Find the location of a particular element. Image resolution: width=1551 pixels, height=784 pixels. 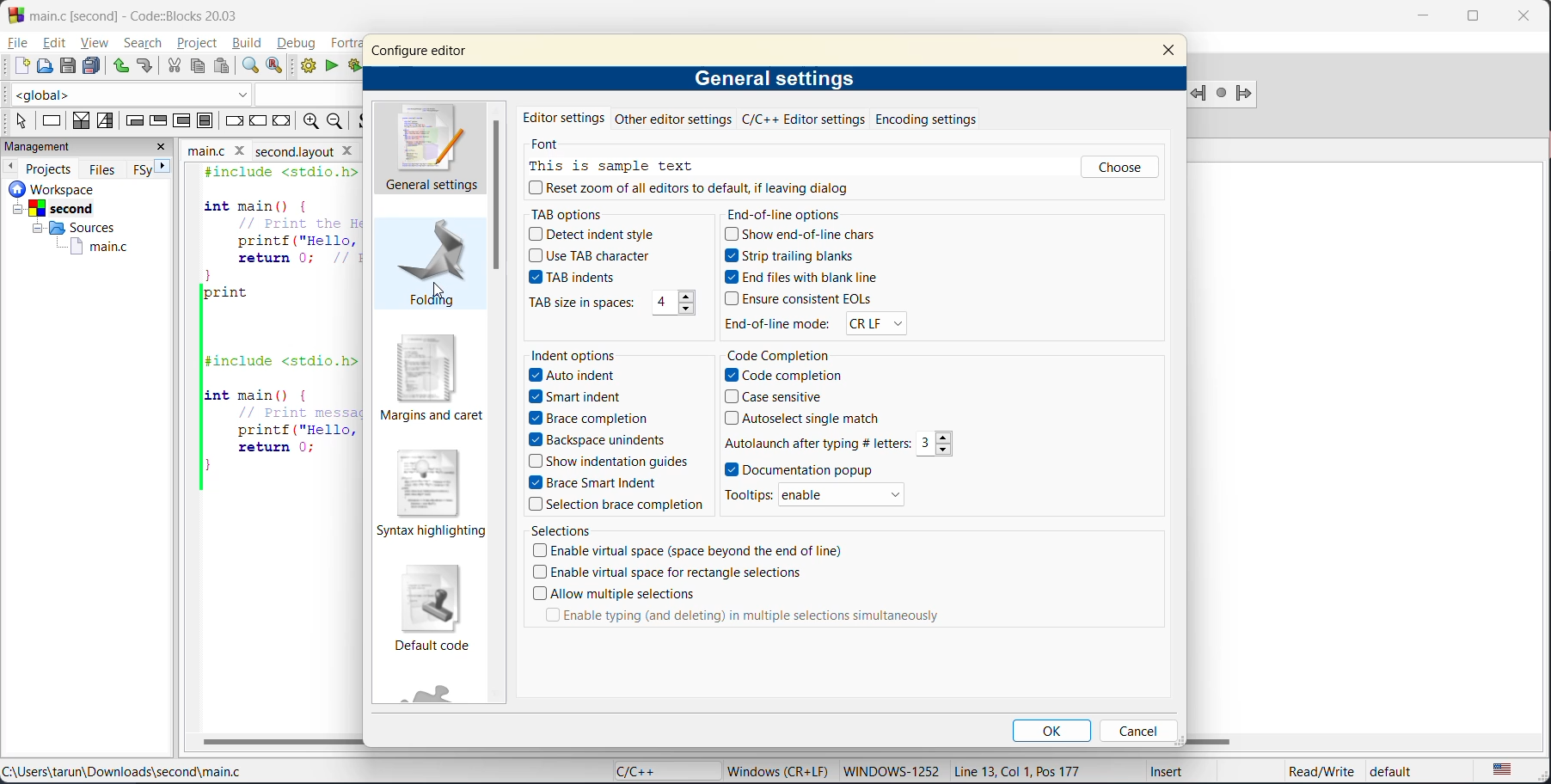

horizontal scroll bar is located at coordinates (281, 742).